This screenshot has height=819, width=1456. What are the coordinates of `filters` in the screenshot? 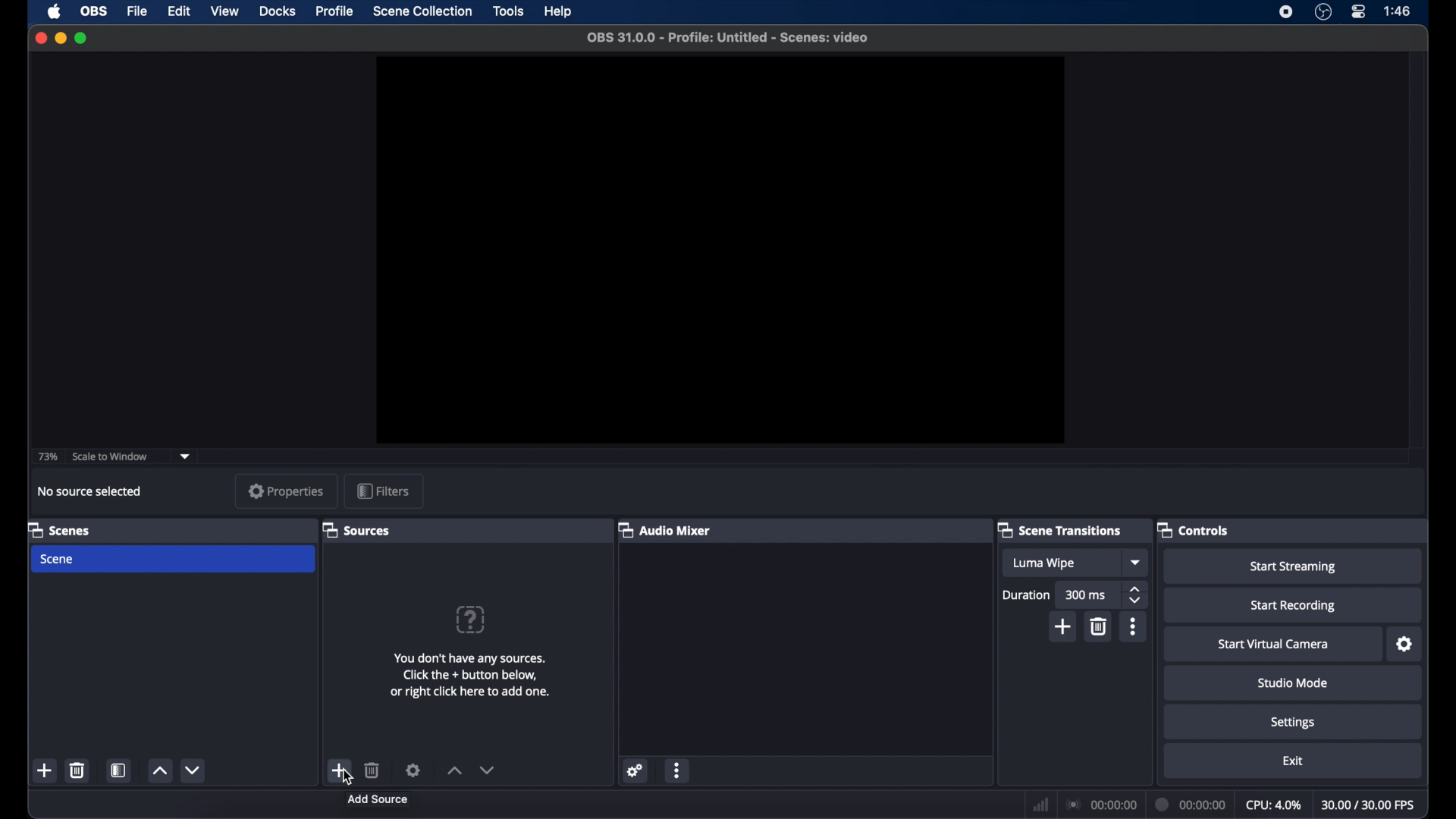 It's located at (384, 491).